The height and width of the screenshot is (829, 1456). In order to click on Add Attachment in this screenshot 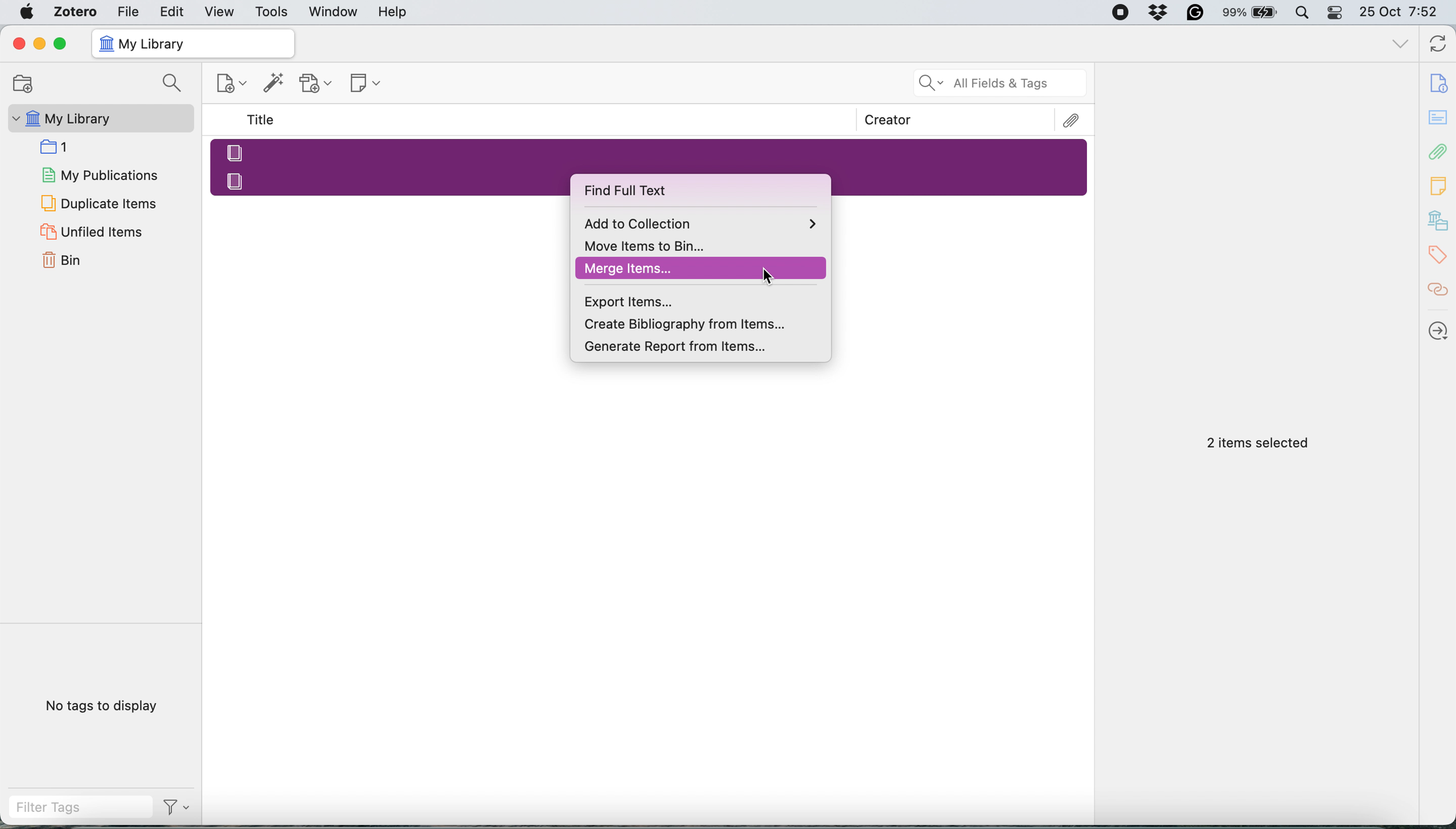, I will do `click(316, 84)`.